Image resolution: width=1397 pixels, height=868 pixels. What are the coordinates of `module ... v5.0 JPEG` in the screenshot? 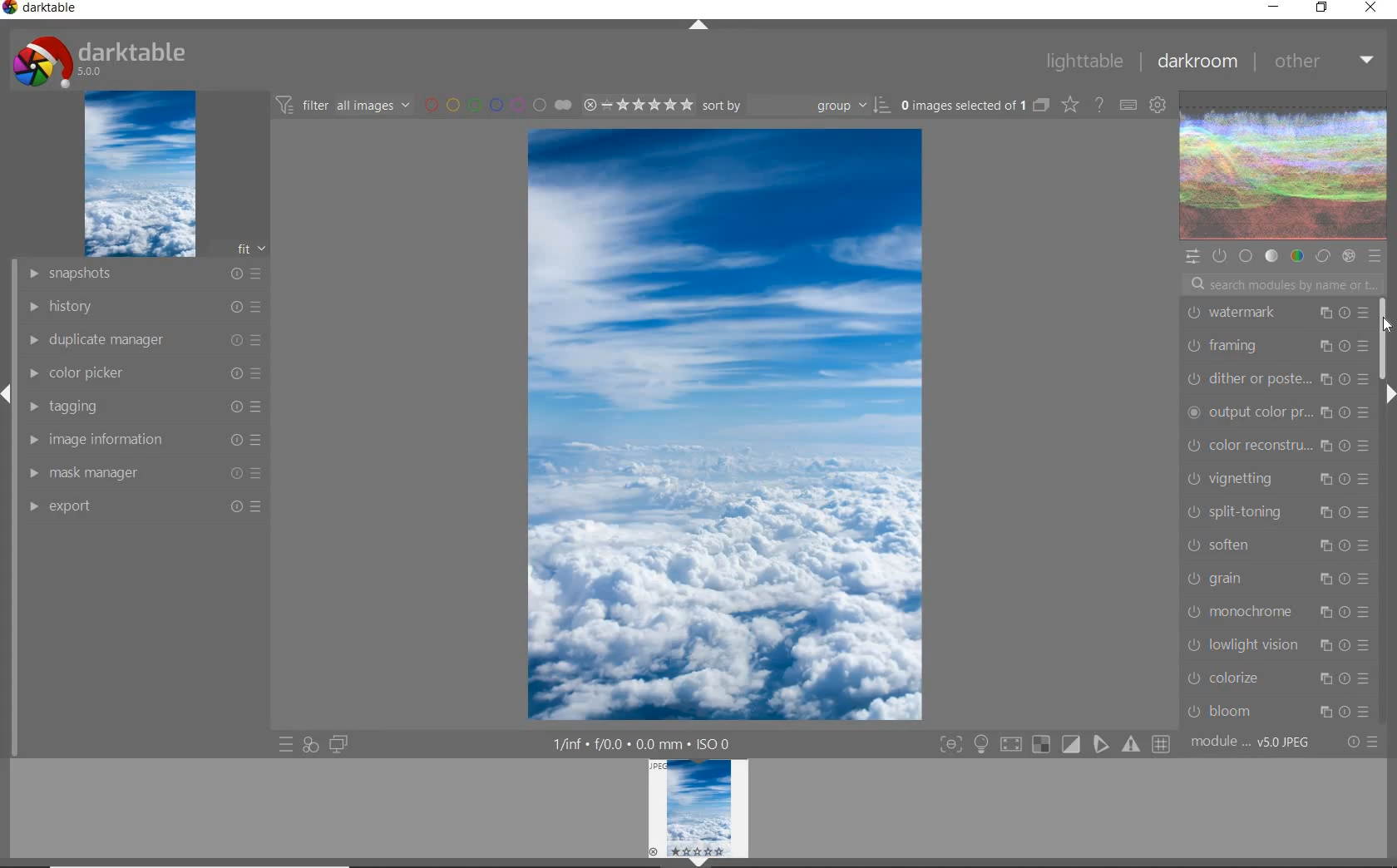 It's located at (1251, 745).